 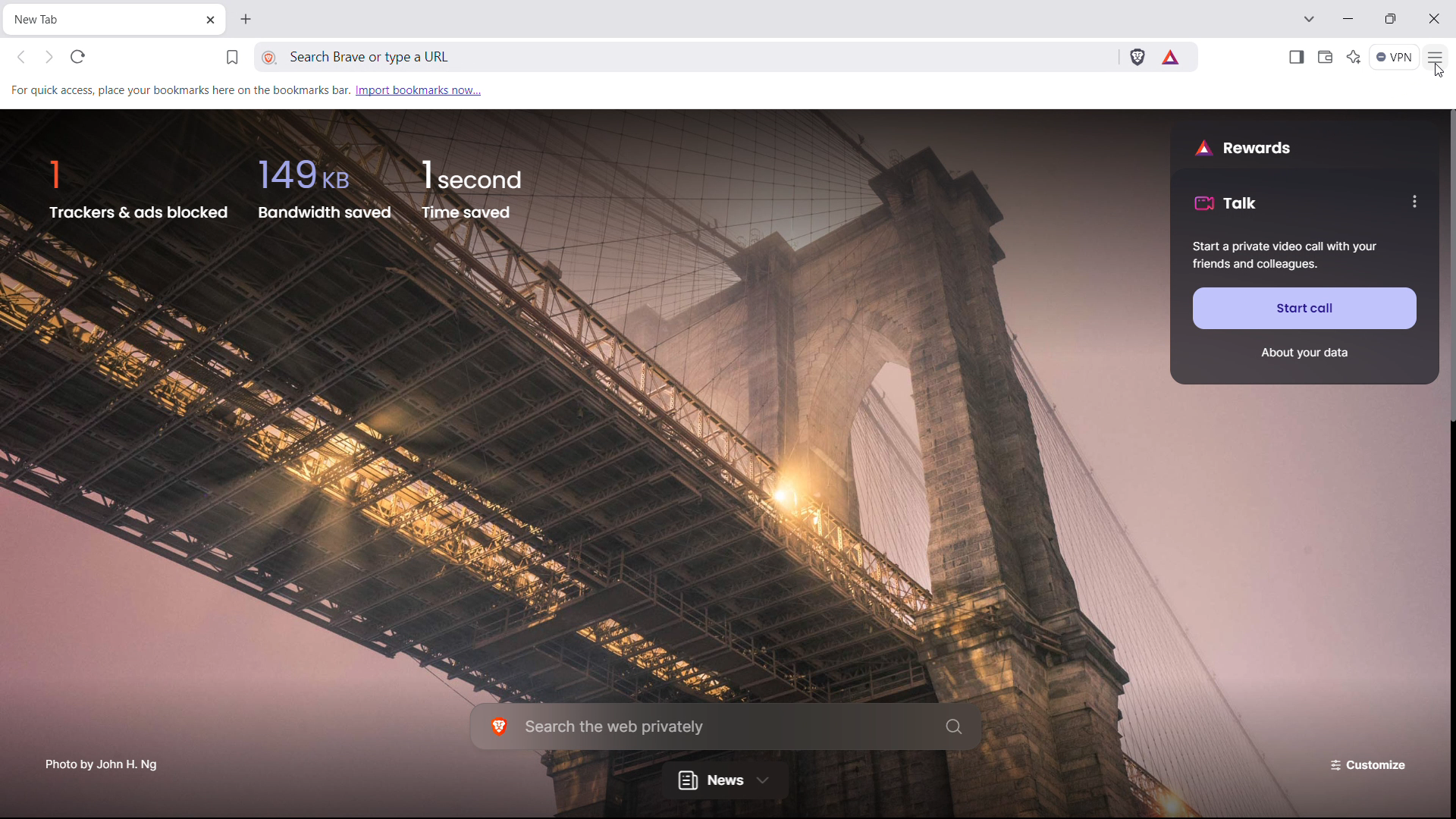 What do you see at coordinates (1310, 19) in the screenshot?
I see `search tabs` at bounding box center [1310, 19].